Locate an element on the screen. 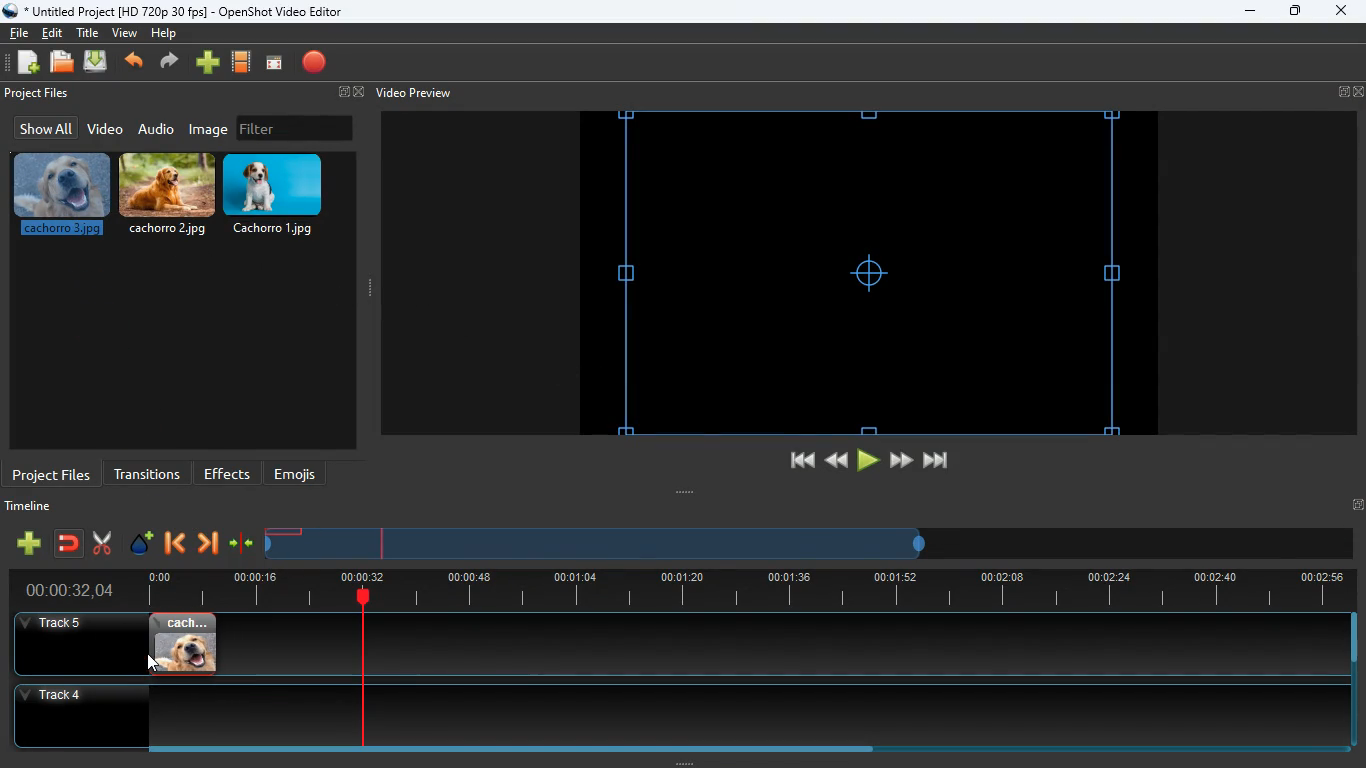 Image resolution: width=1366 pixels, height=768 pixels. files is located at coordinates (63, 63).